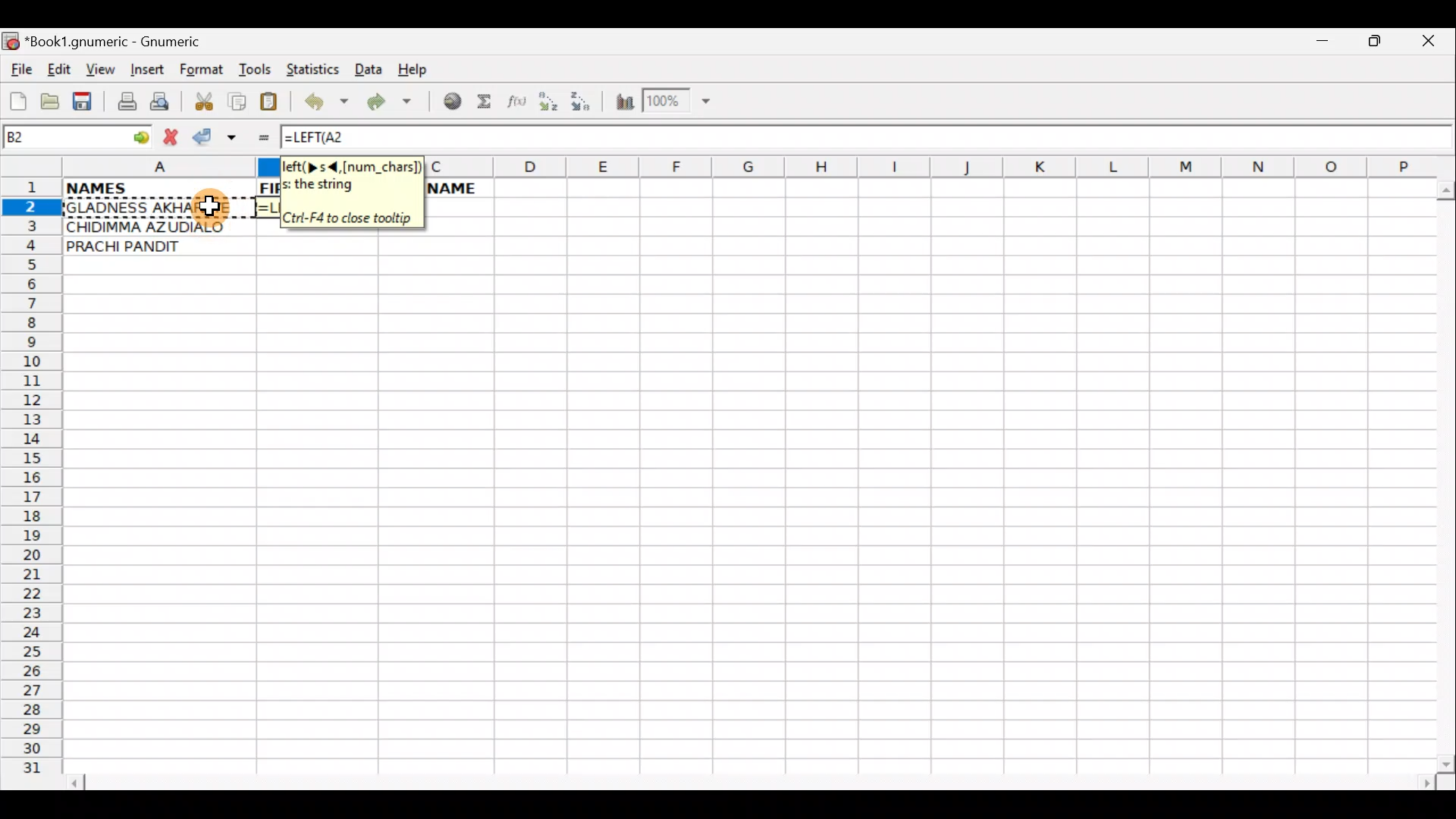 The width and height of the screenshot is (1456, 819). What do you see at coordinates (274, 104) in the screenshot?
I see `Paste clipboard` at bounding box center [274, 104].